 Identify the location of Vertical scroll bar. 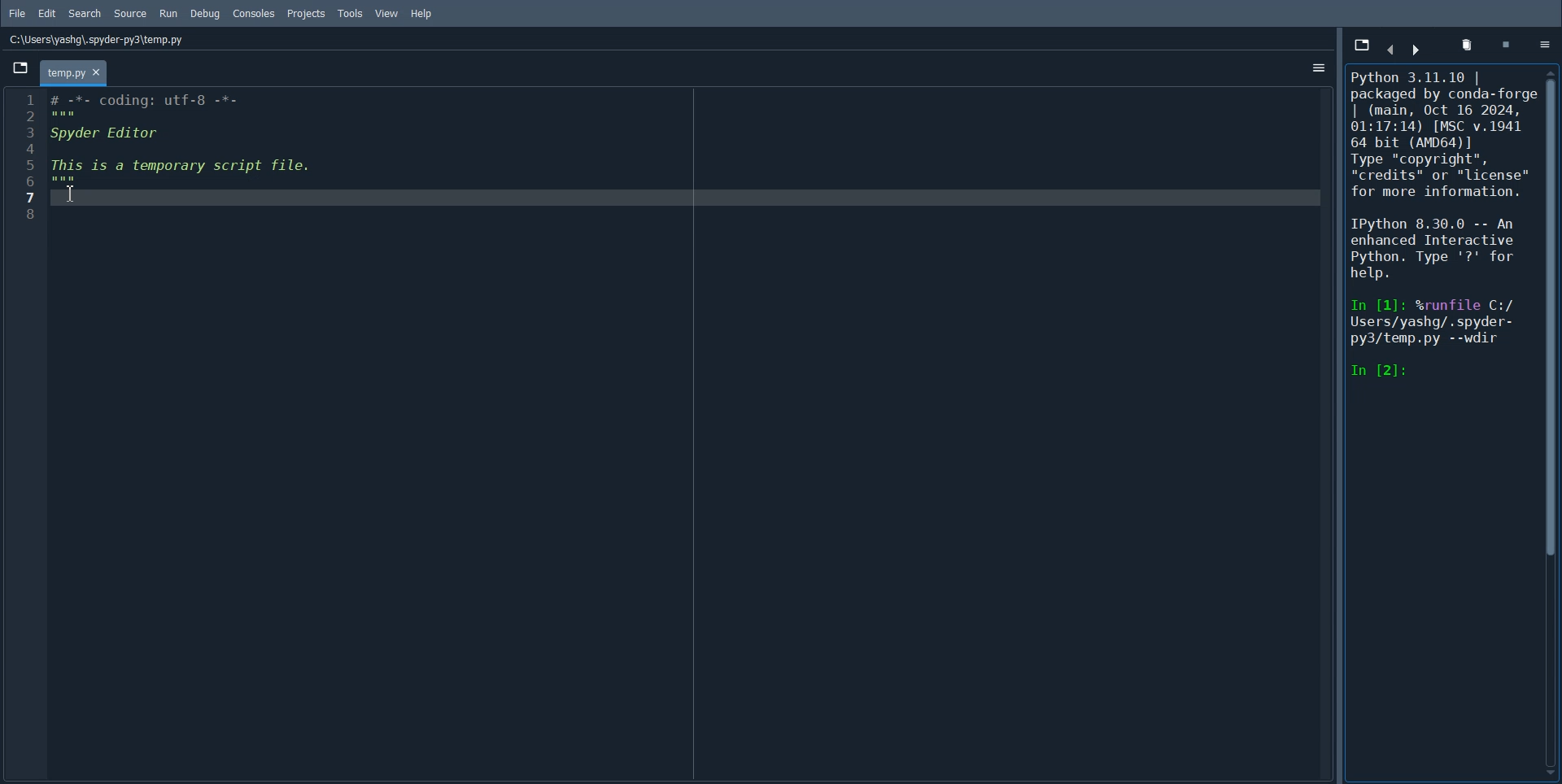
(1551, 424).